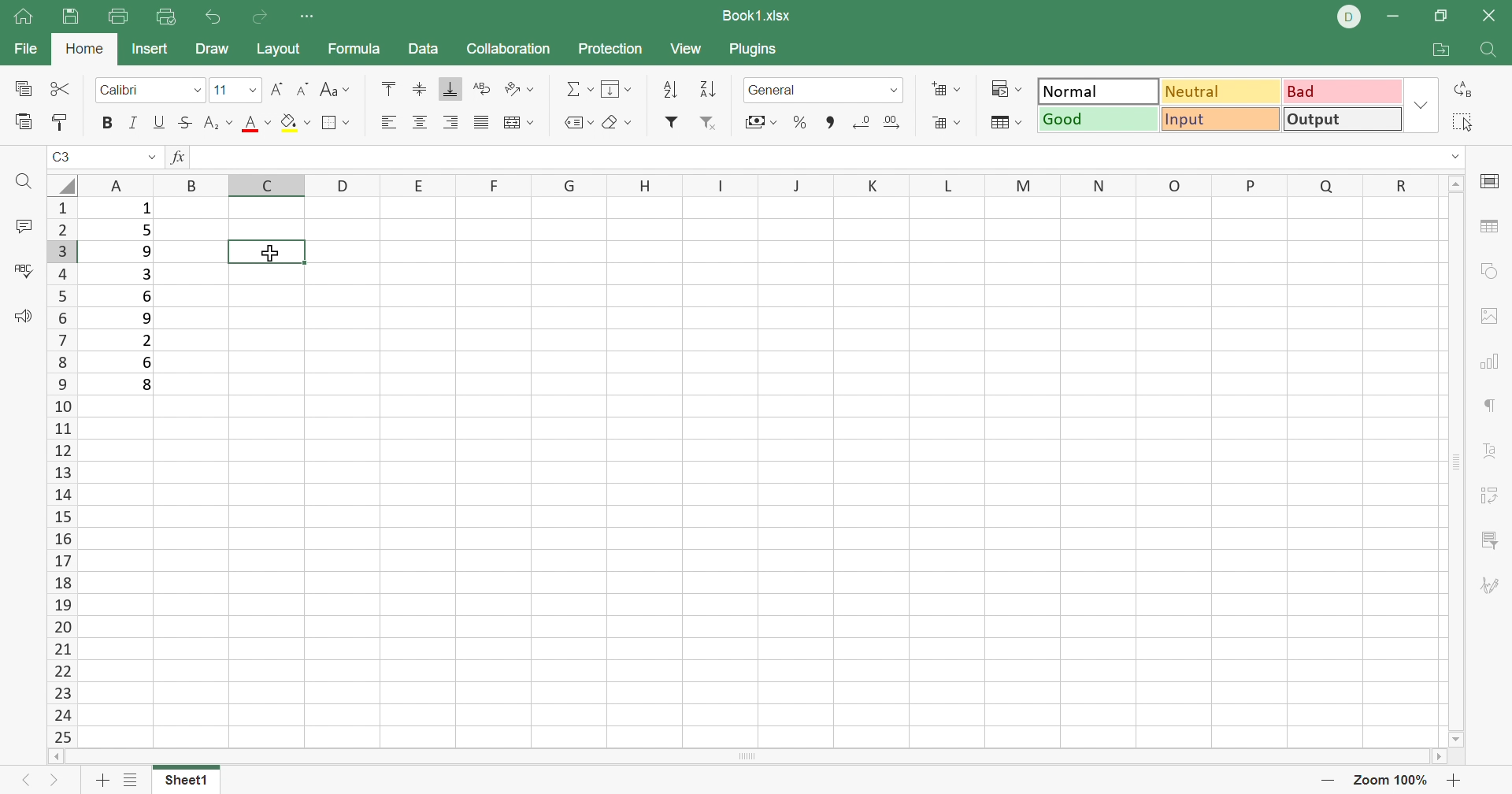 This screenshot has width=1512, height=794. I want to click on Drop down, so click(154, 155).